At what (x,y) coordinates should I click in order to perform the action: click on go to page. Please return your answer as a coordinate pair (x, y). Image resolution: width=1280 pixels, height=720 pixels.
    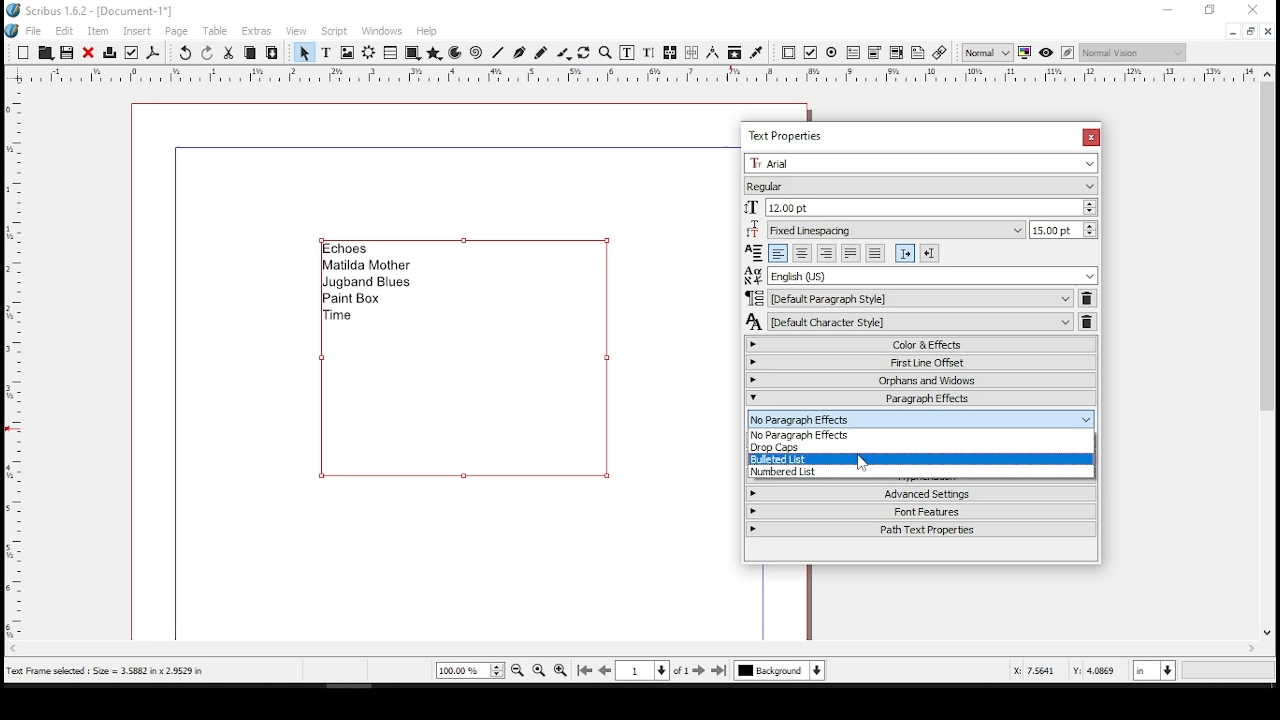
    Looking at the image, I should click on (652, 670).